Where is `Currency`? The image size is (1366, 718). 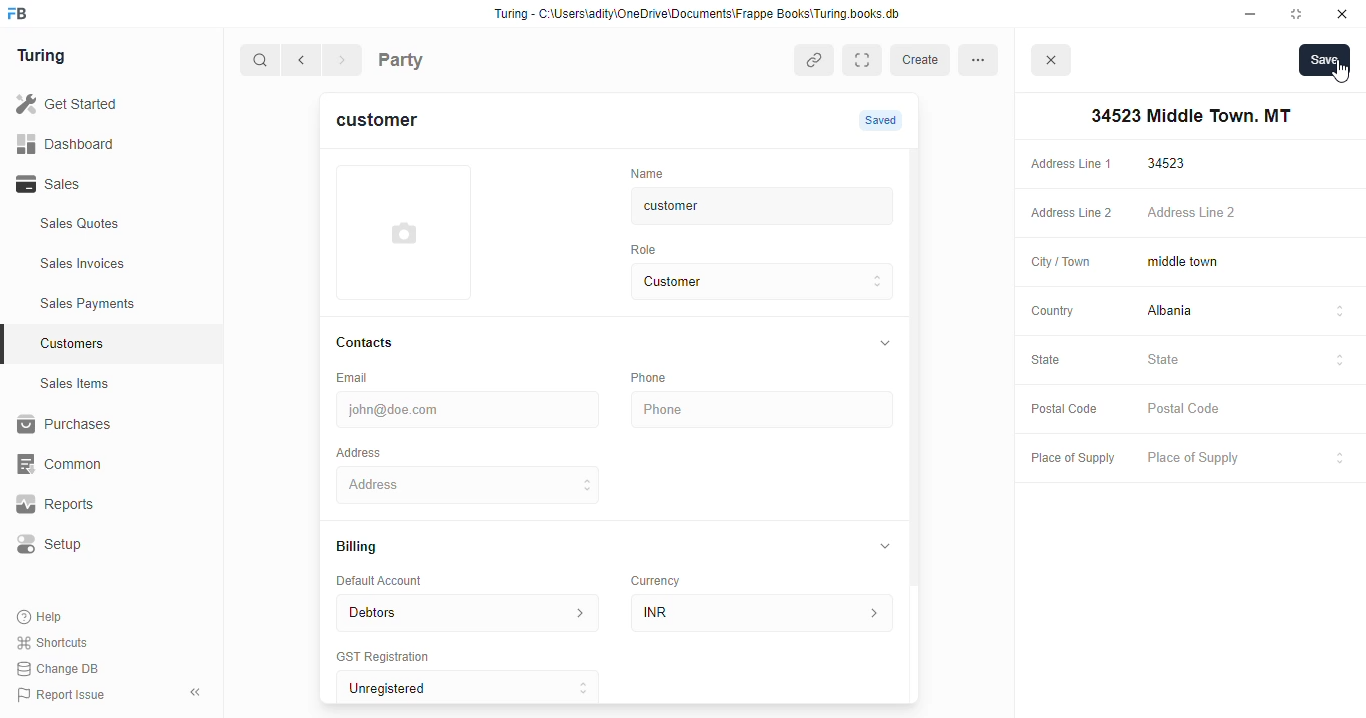 Currency is located at coordinates (664, 576).